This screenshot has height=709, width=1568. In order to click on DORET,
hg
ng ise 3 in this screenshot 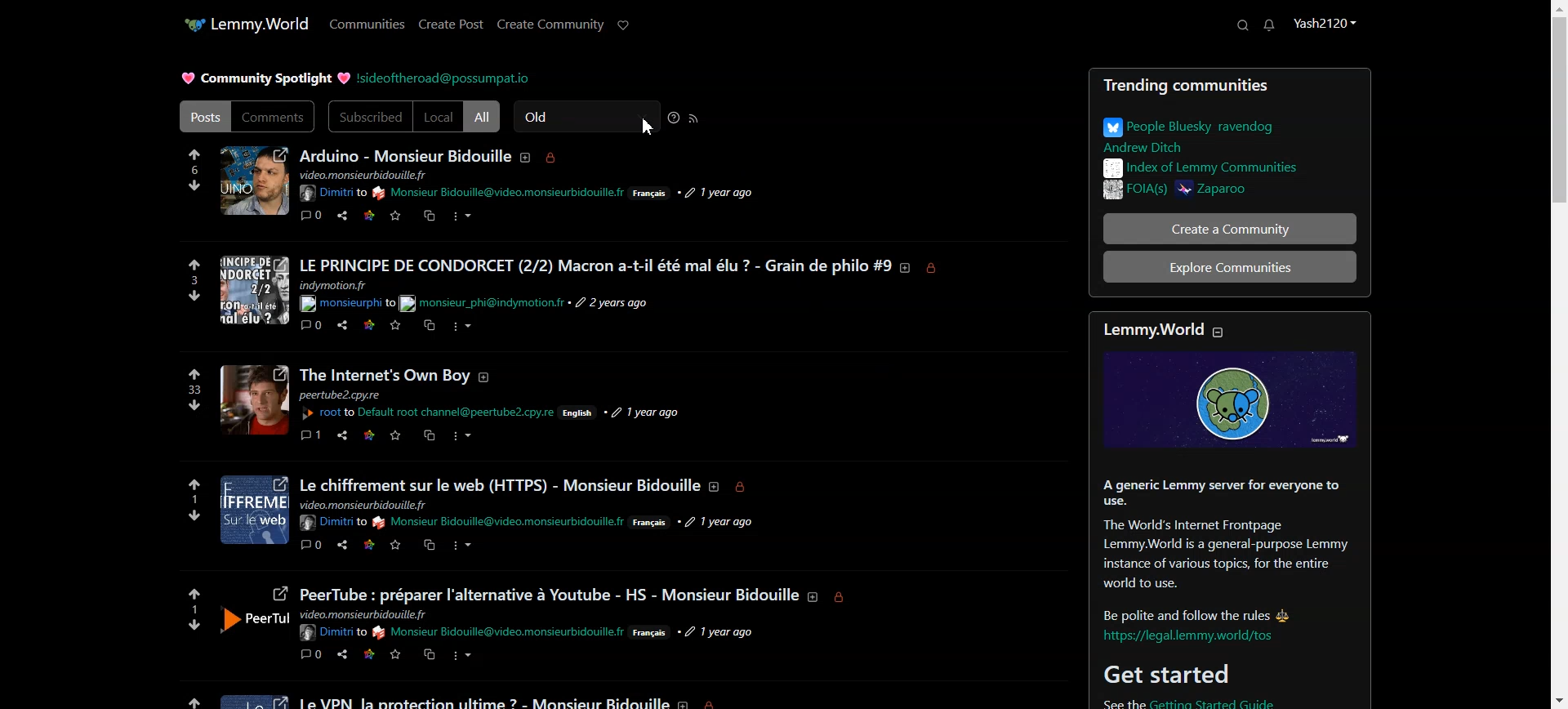, I will do `click(256, 289)`.